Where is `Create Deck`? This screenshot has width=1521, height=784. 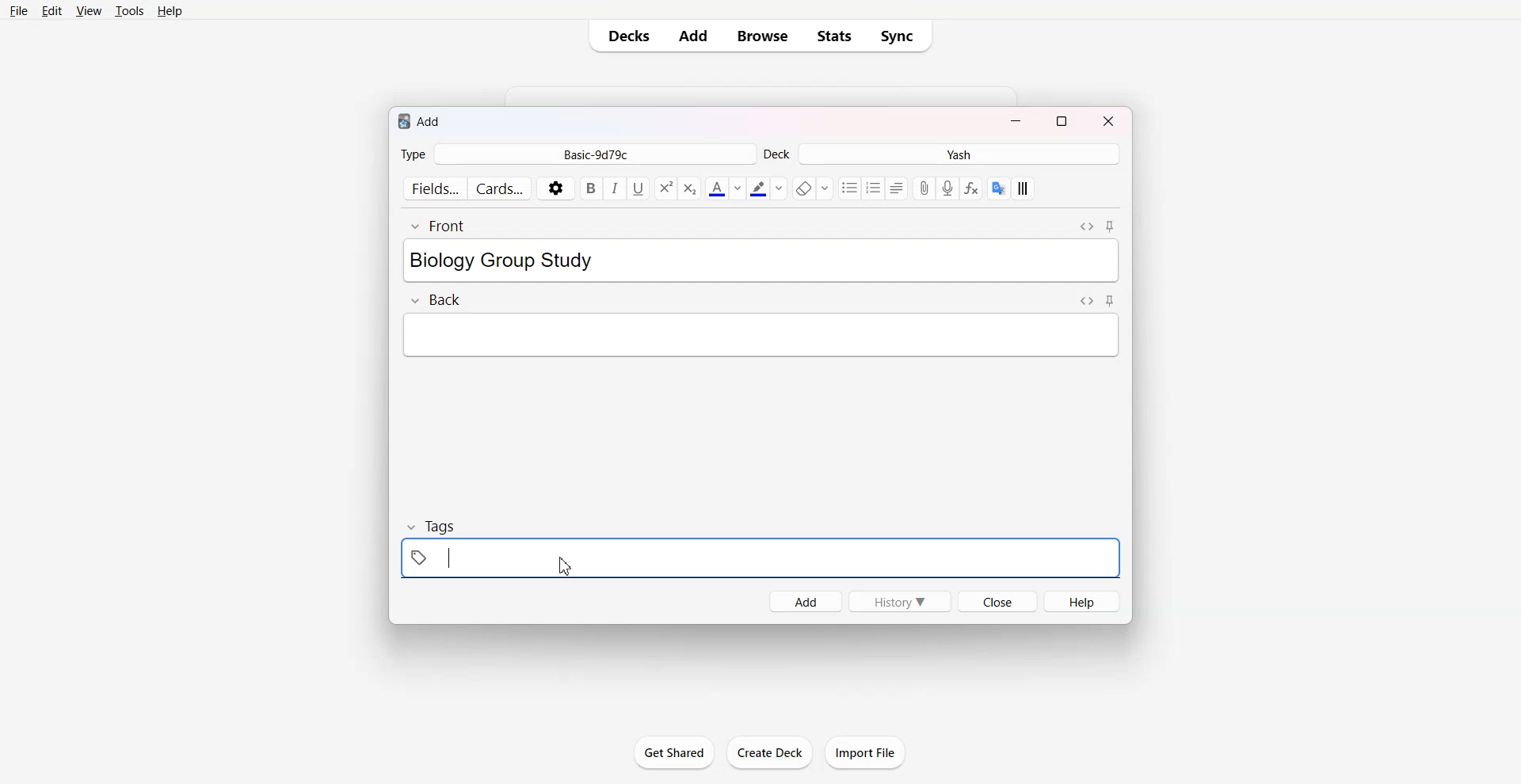 Create Deck is located at coordinates (769, 752).